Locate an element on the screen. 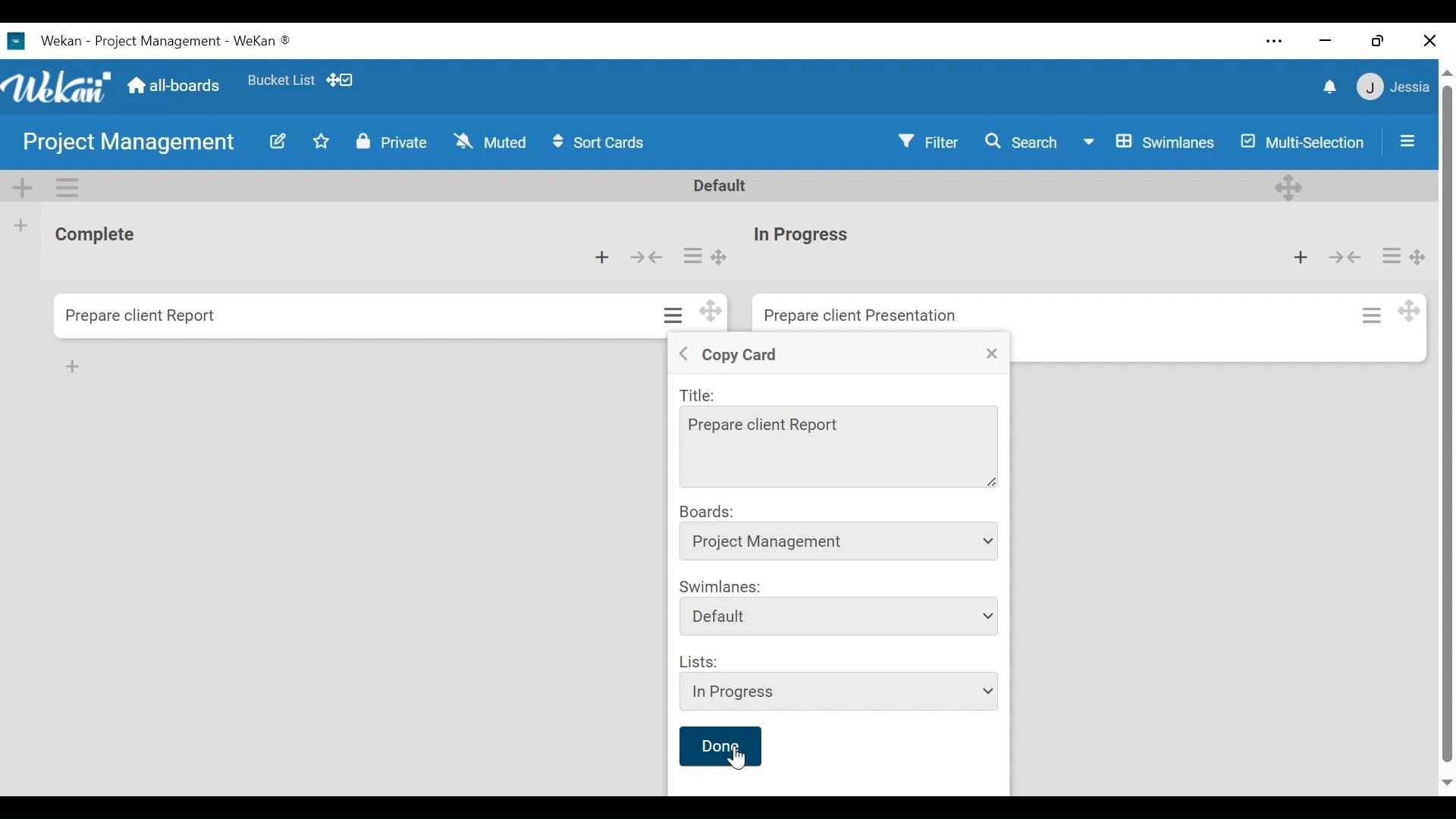 The image size is (1456, 819). Swimlane Actions is located at coordinates (69, 188).